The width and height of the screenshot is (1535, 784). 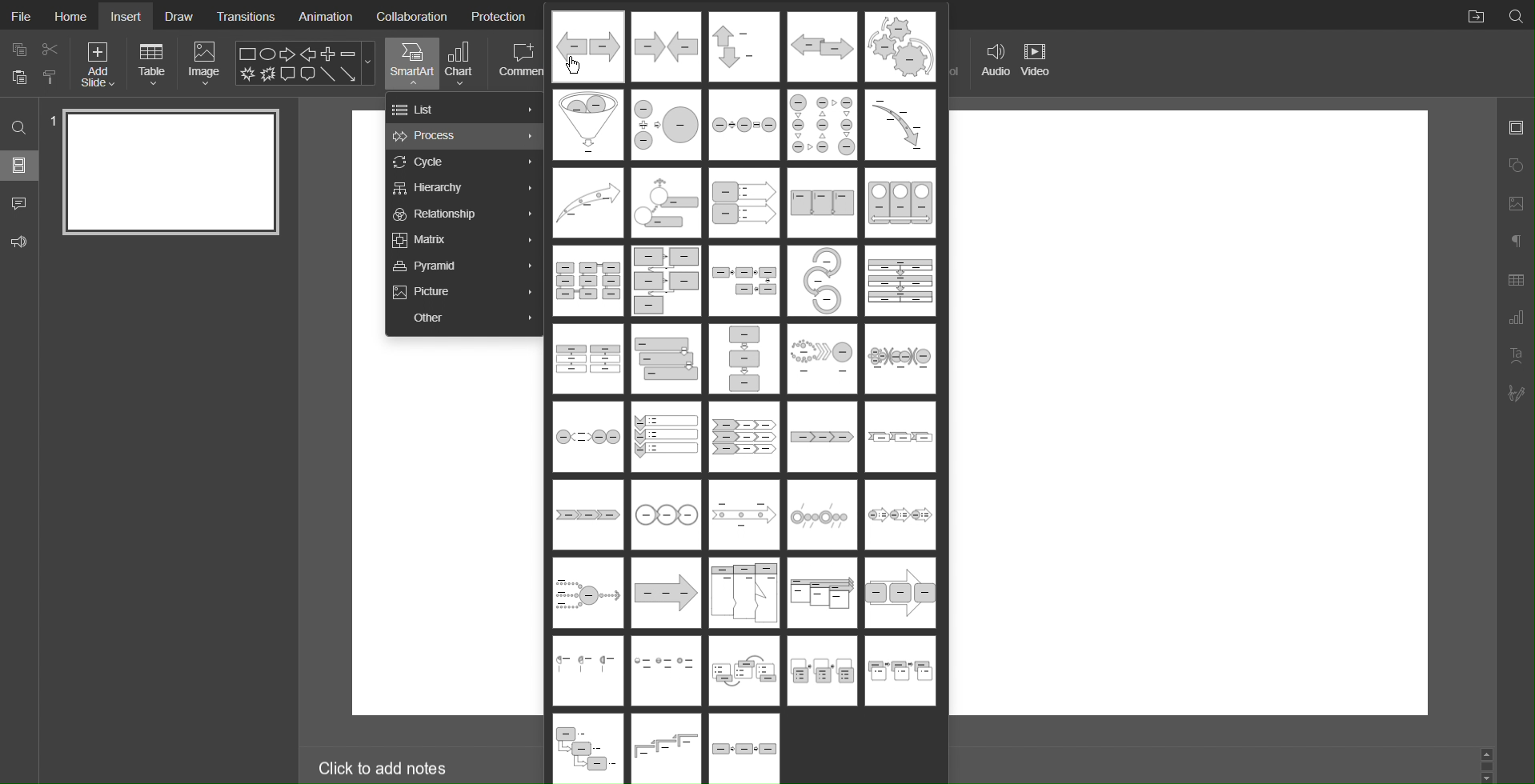 I want to click on Process Template 5, so click(x=898, y=46).